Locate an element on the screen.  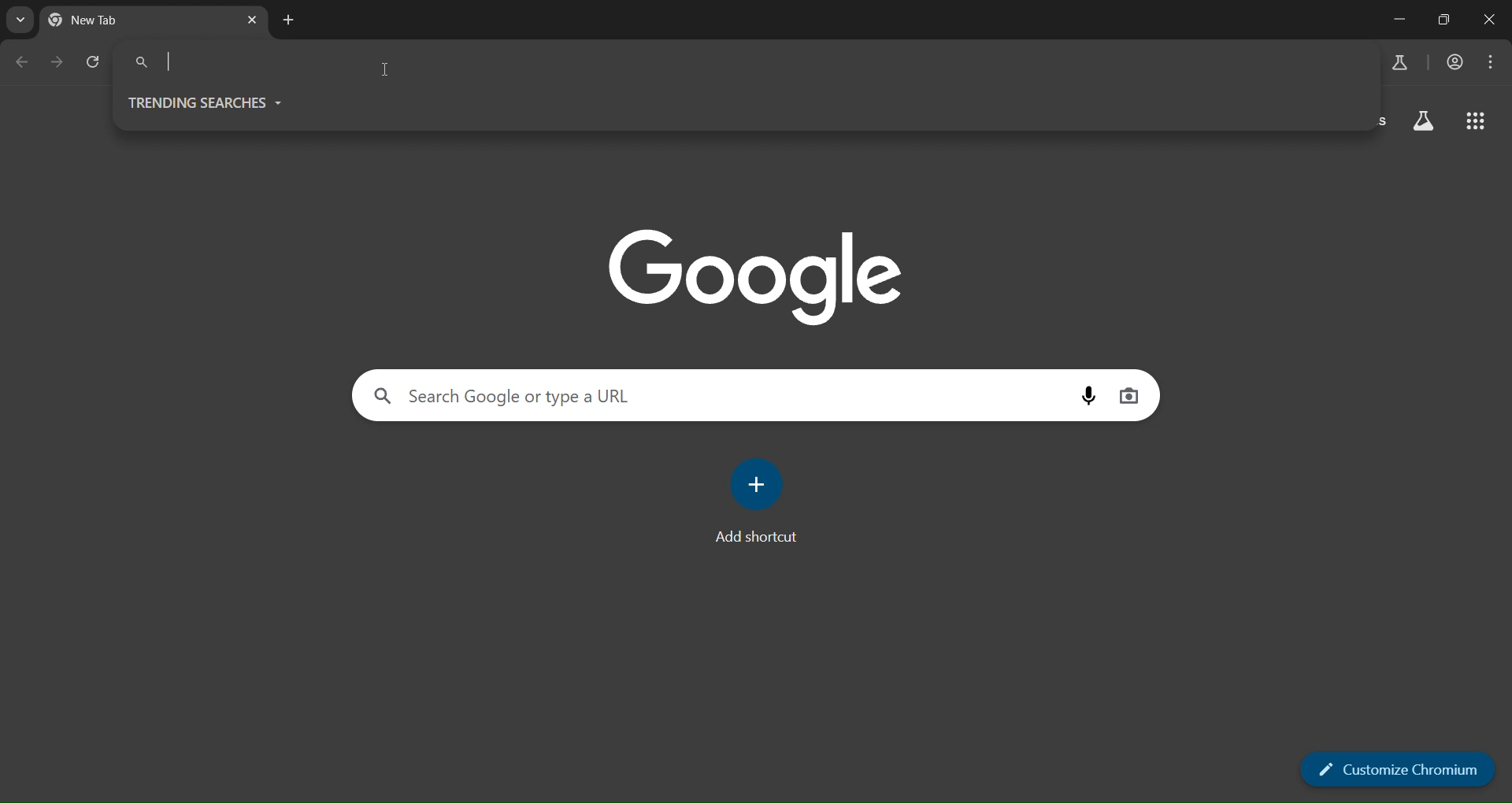
google apps is located at coordinates (1475, 124).